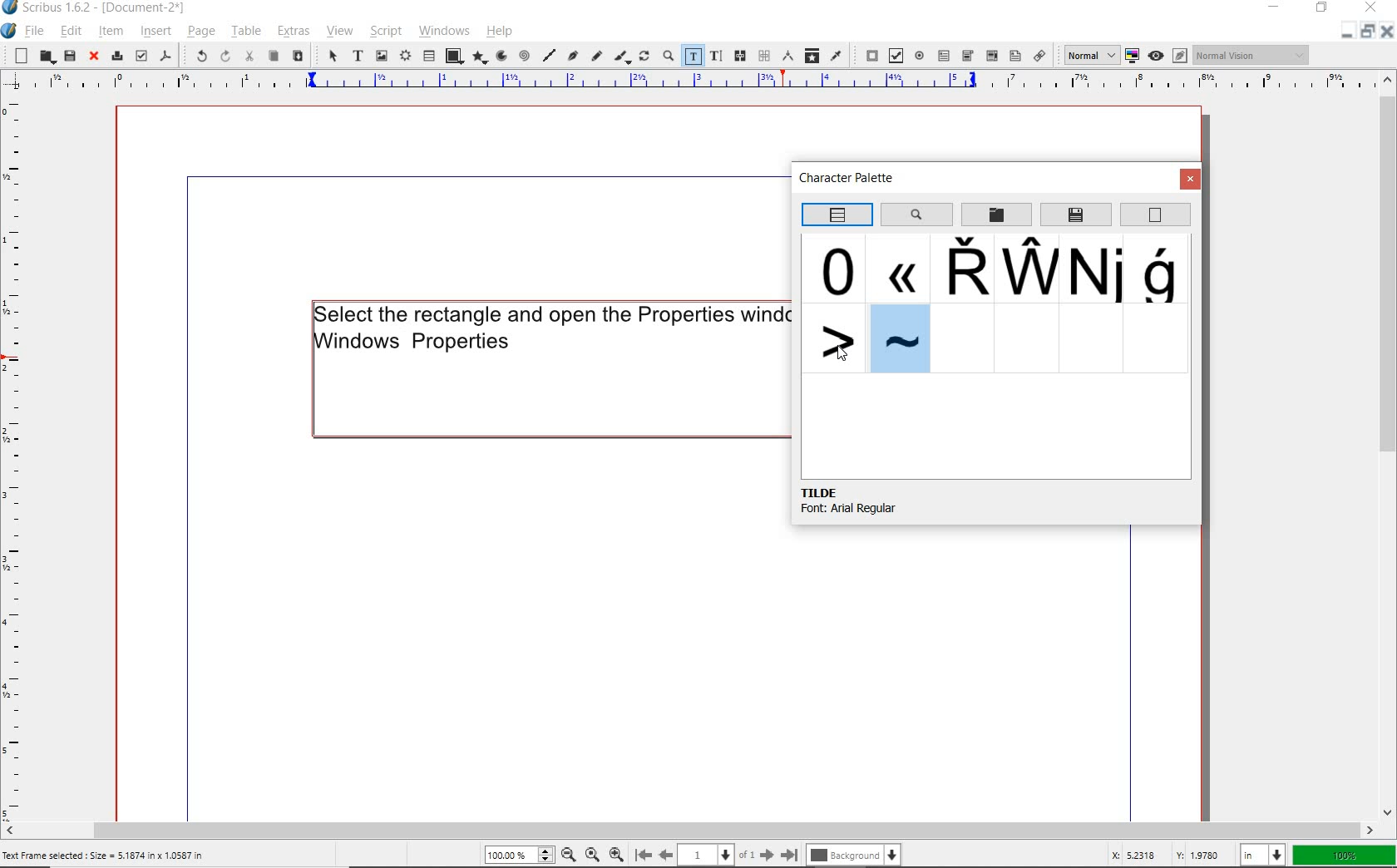 This screenshot has width=1397, height=868. Describe the element at coordinates (550, 55) in the screenshot. I see `line` at that location.